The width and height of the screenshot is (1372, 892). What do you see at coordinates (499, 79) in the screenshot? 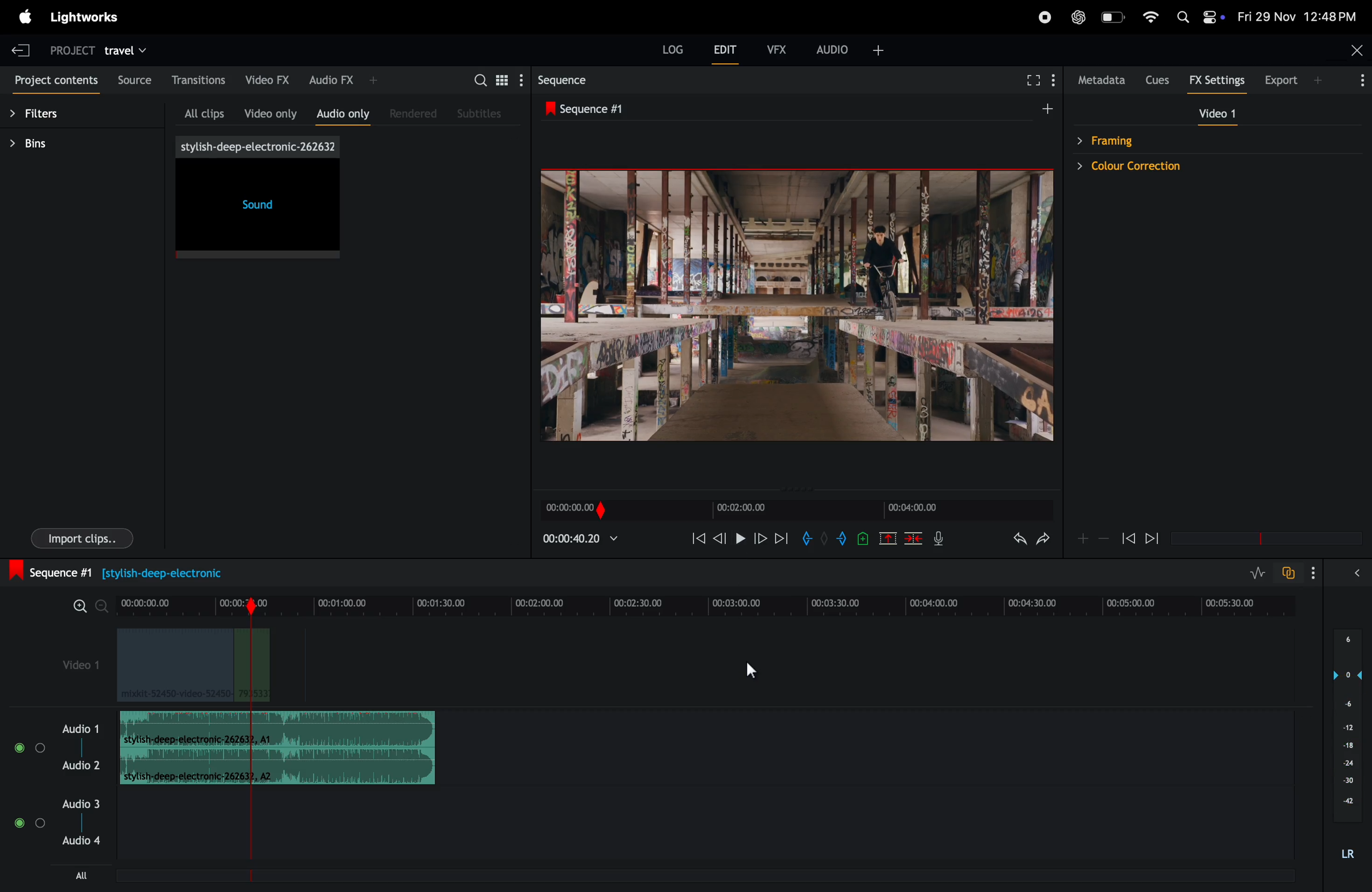
I see `toggle between list view` at bounding box center [499, 79].